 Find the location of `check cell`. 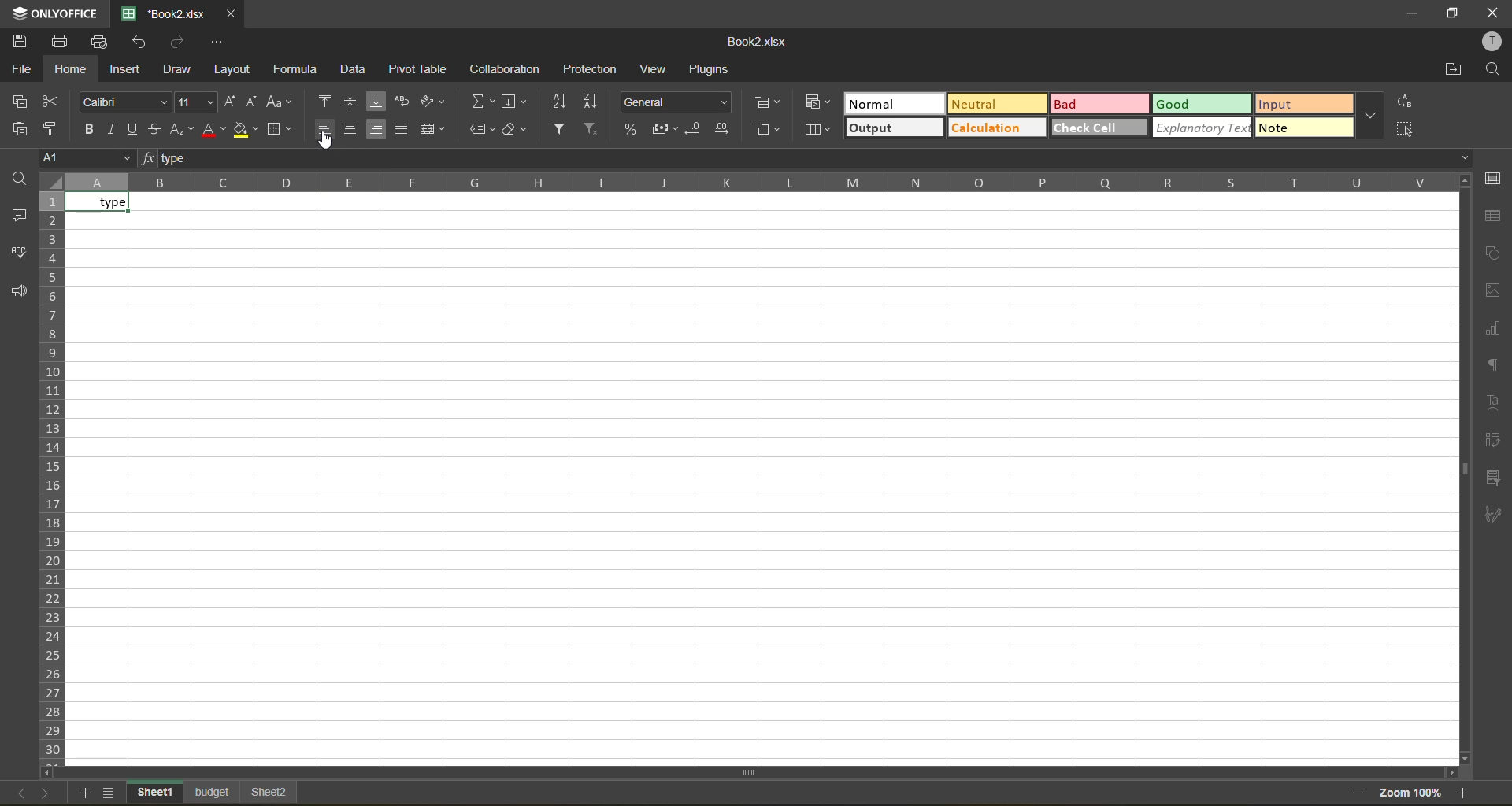

check cell is located at coordinates (1101, 129).